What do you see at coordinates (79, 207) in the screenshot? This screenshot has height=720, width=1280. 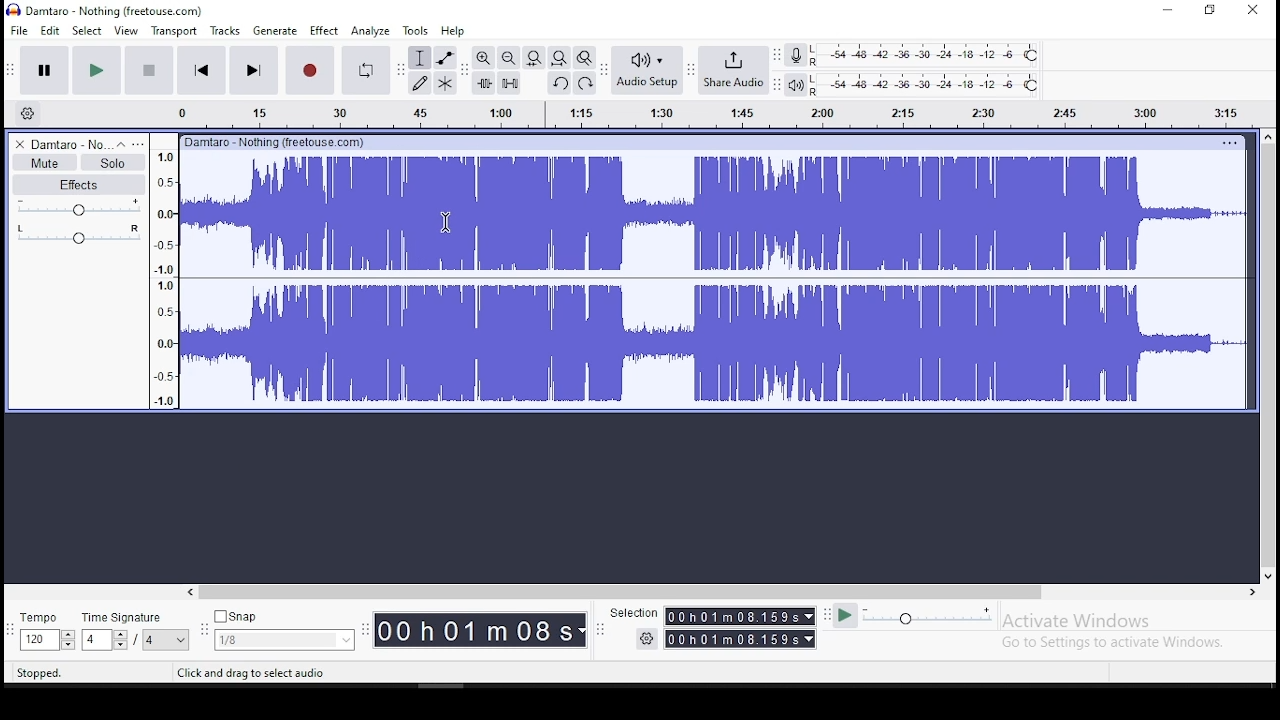 I see `volume` at bounding box center [79, 207].